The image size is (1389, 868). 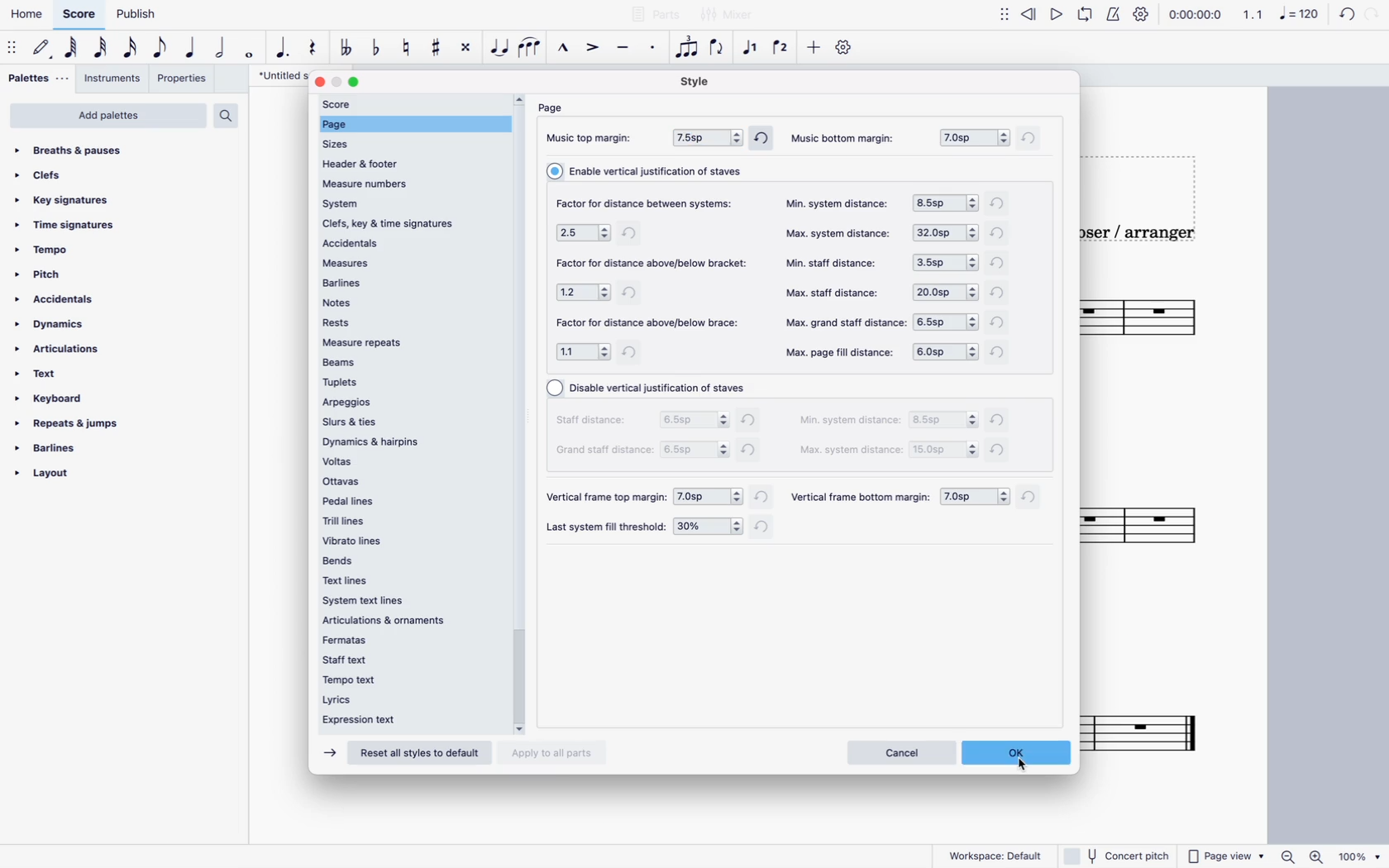 I want to click on min system distance, so click(x=850, y=422).